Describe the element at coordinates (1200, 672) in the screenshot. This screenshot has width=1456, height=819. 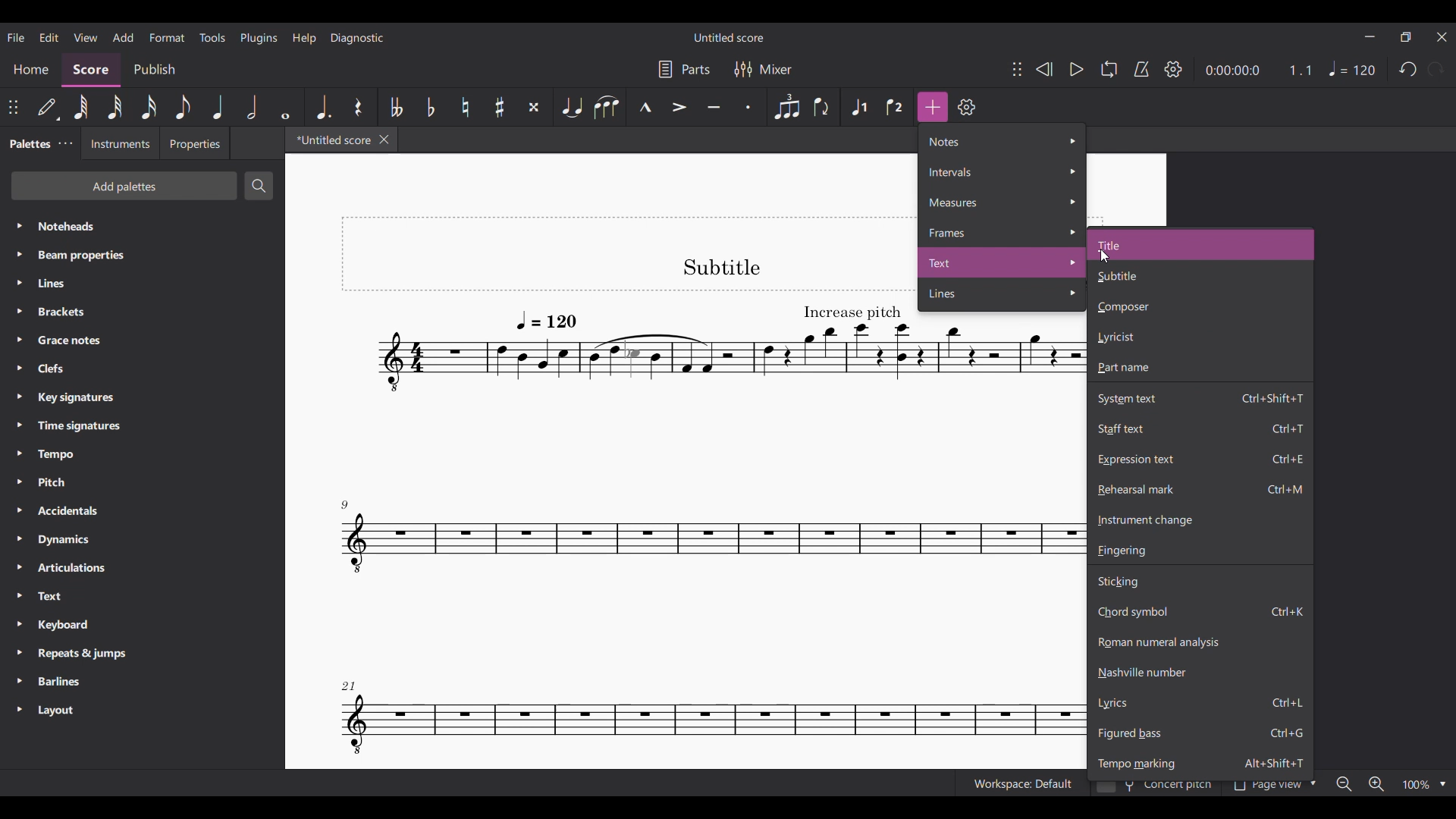
I see `Nashville number` at that location.